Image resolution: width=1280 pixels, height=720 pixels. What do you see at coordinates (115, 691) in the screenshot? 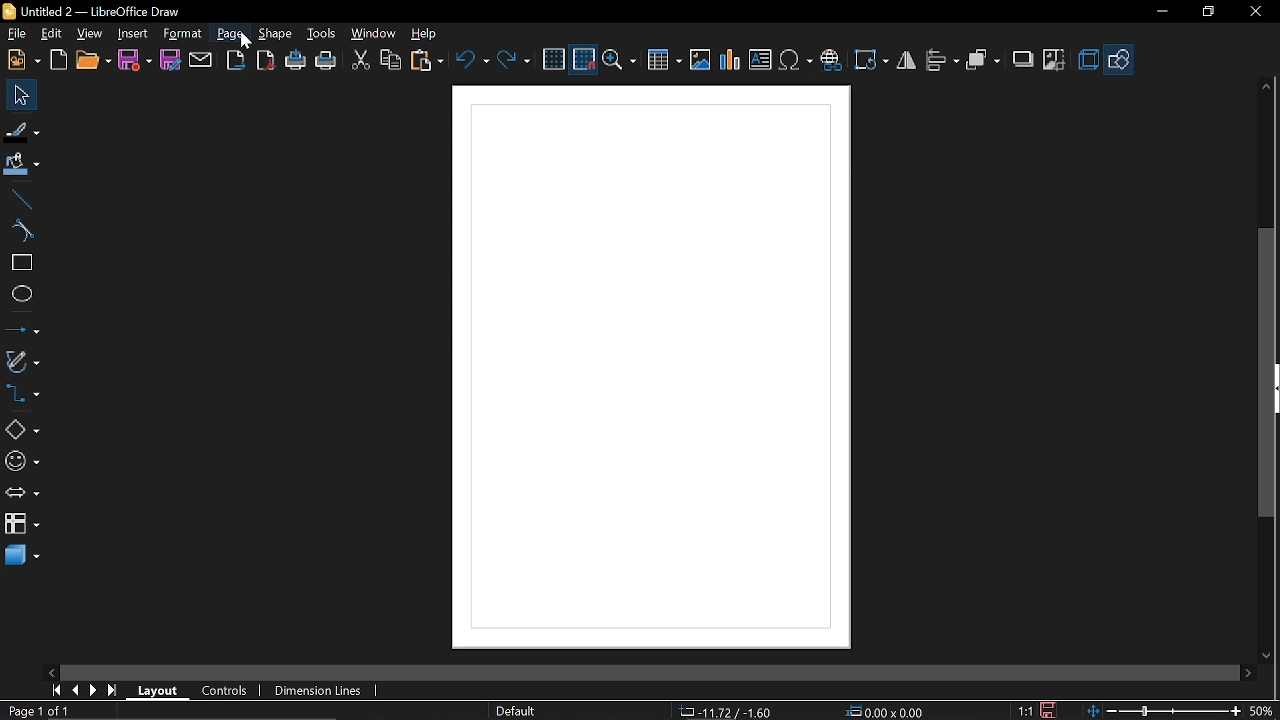
I see `Go to last page` at bounding box center [115, 691].